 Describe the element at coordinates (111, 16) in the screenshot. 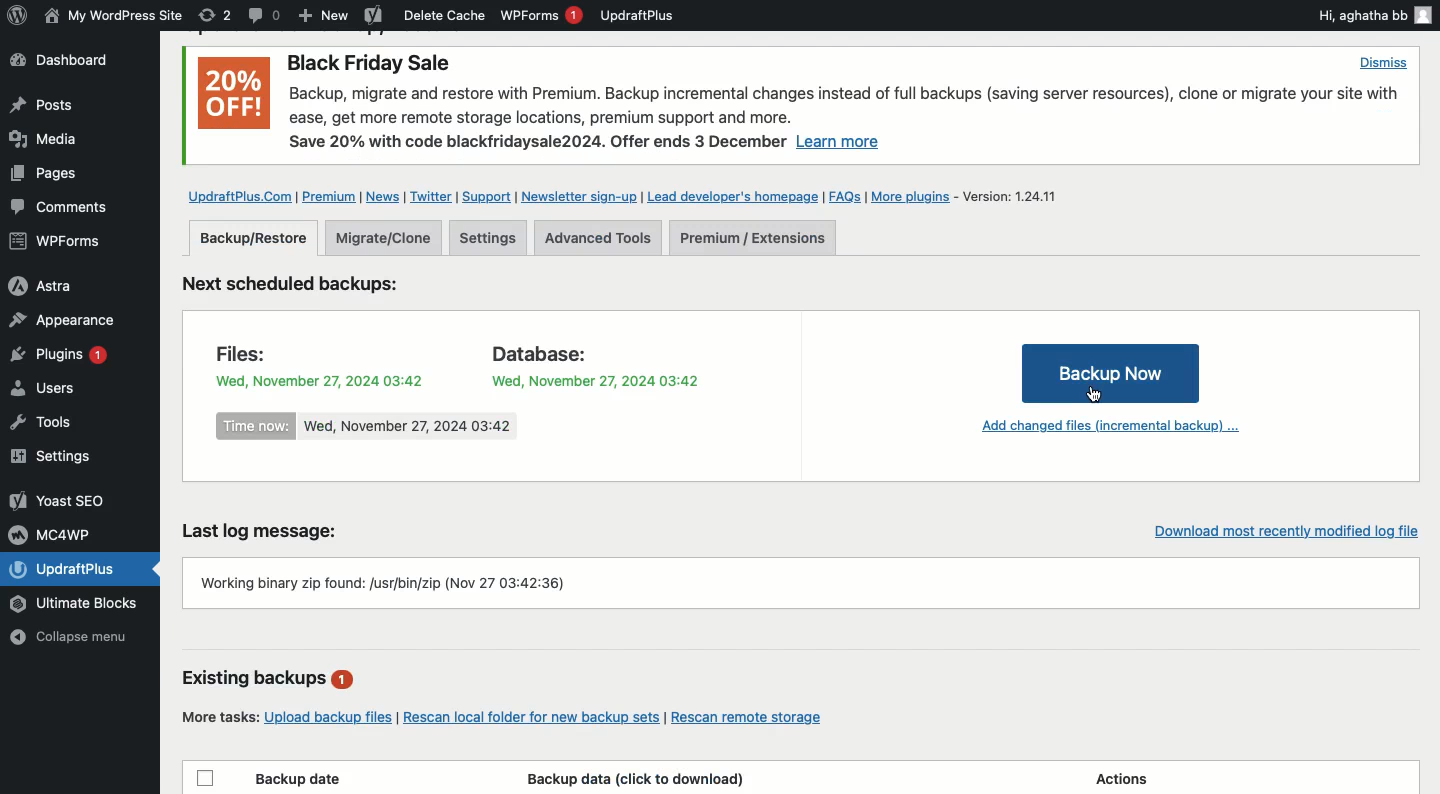

I see `WordPress Site` at that location.